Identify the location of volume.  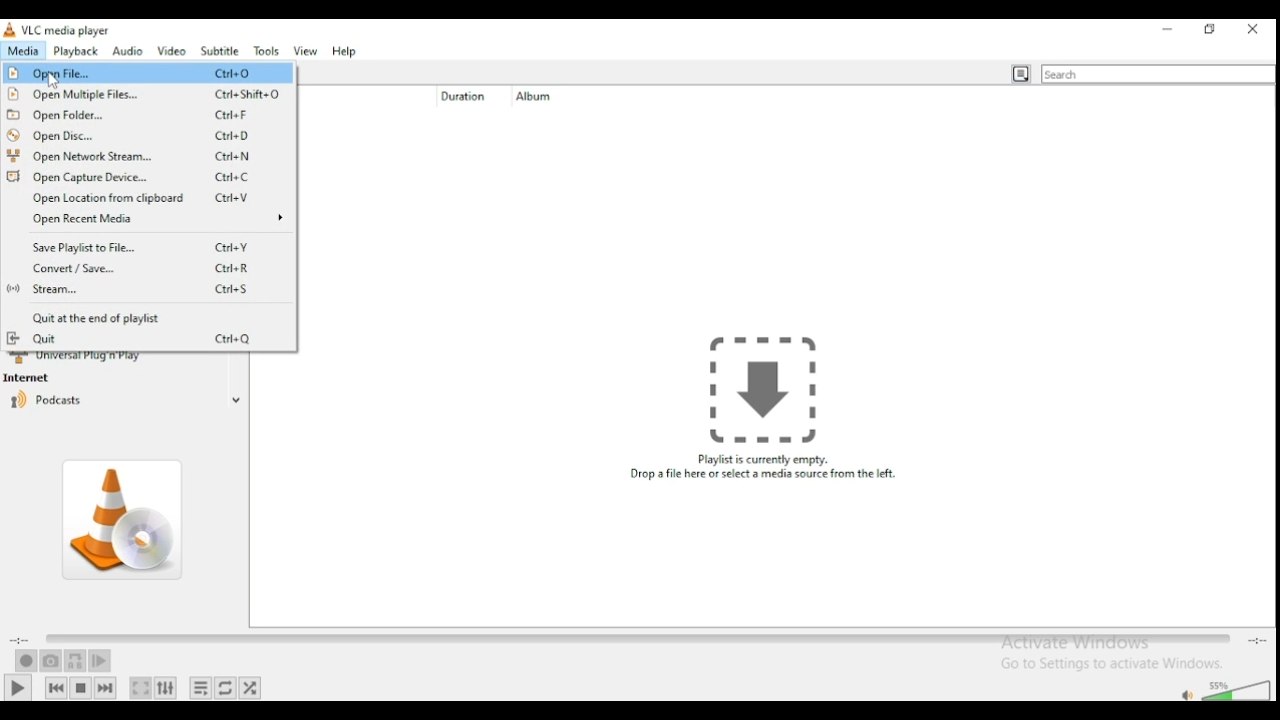
(1238, 691).